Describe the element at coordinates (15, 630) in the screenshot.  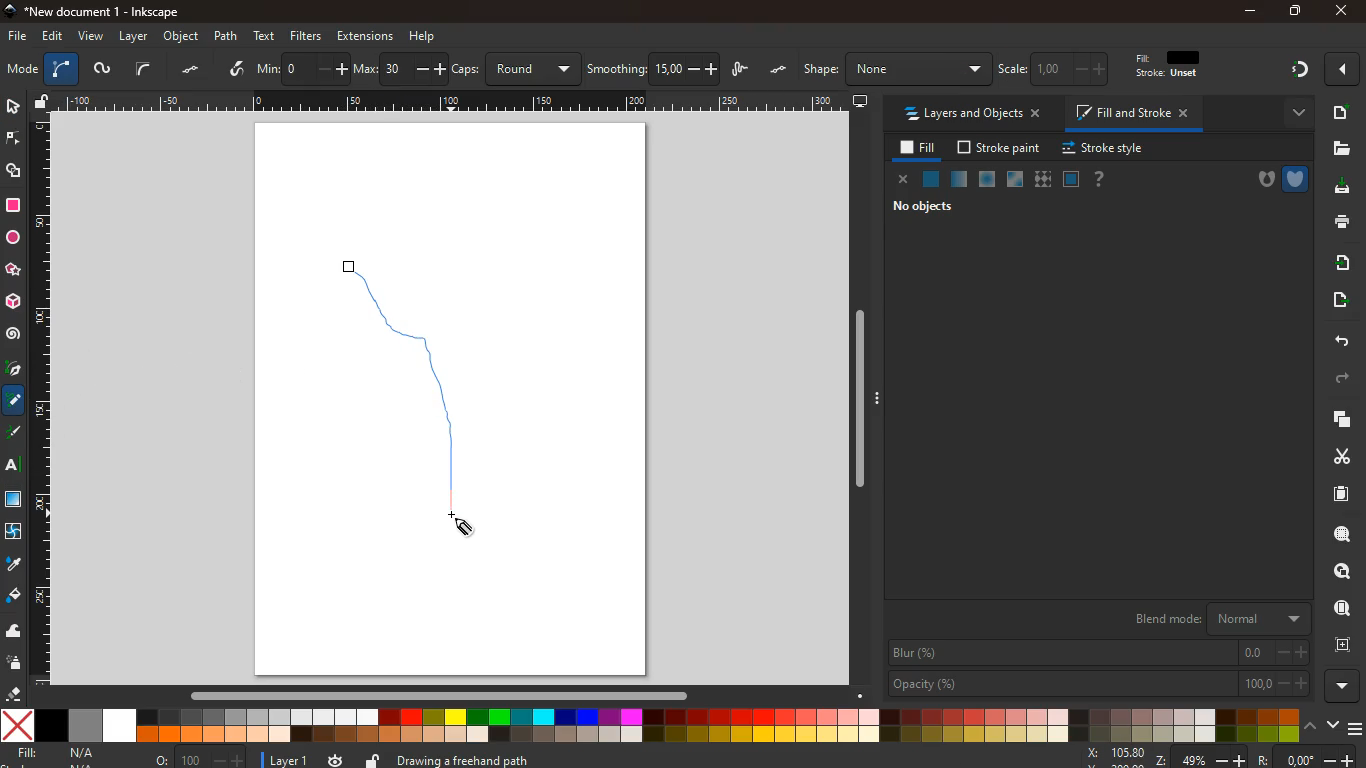
I see `wave` at that location.